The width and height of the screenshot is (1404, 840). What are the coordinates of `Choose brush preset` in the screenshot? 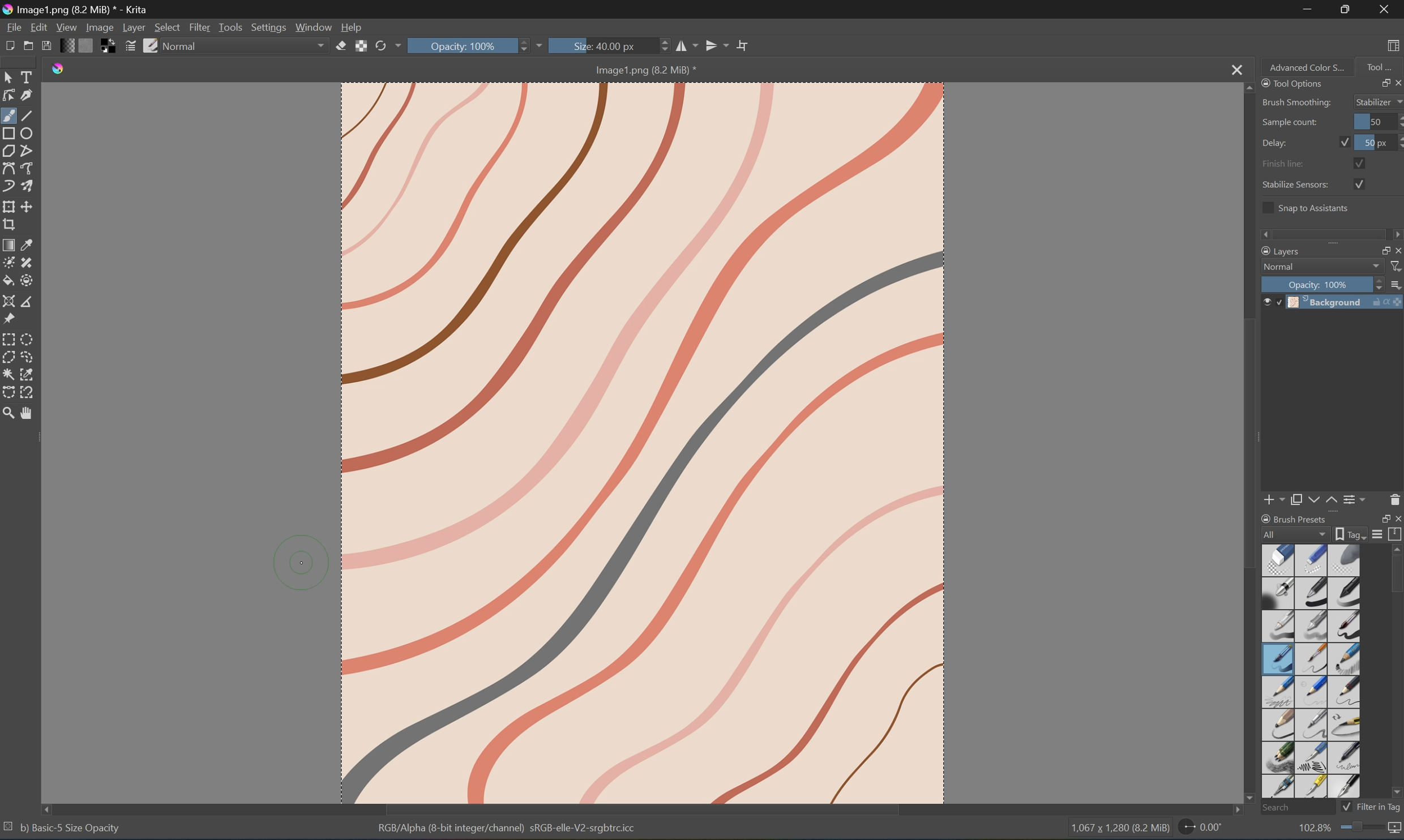 It's located at (151, 45).